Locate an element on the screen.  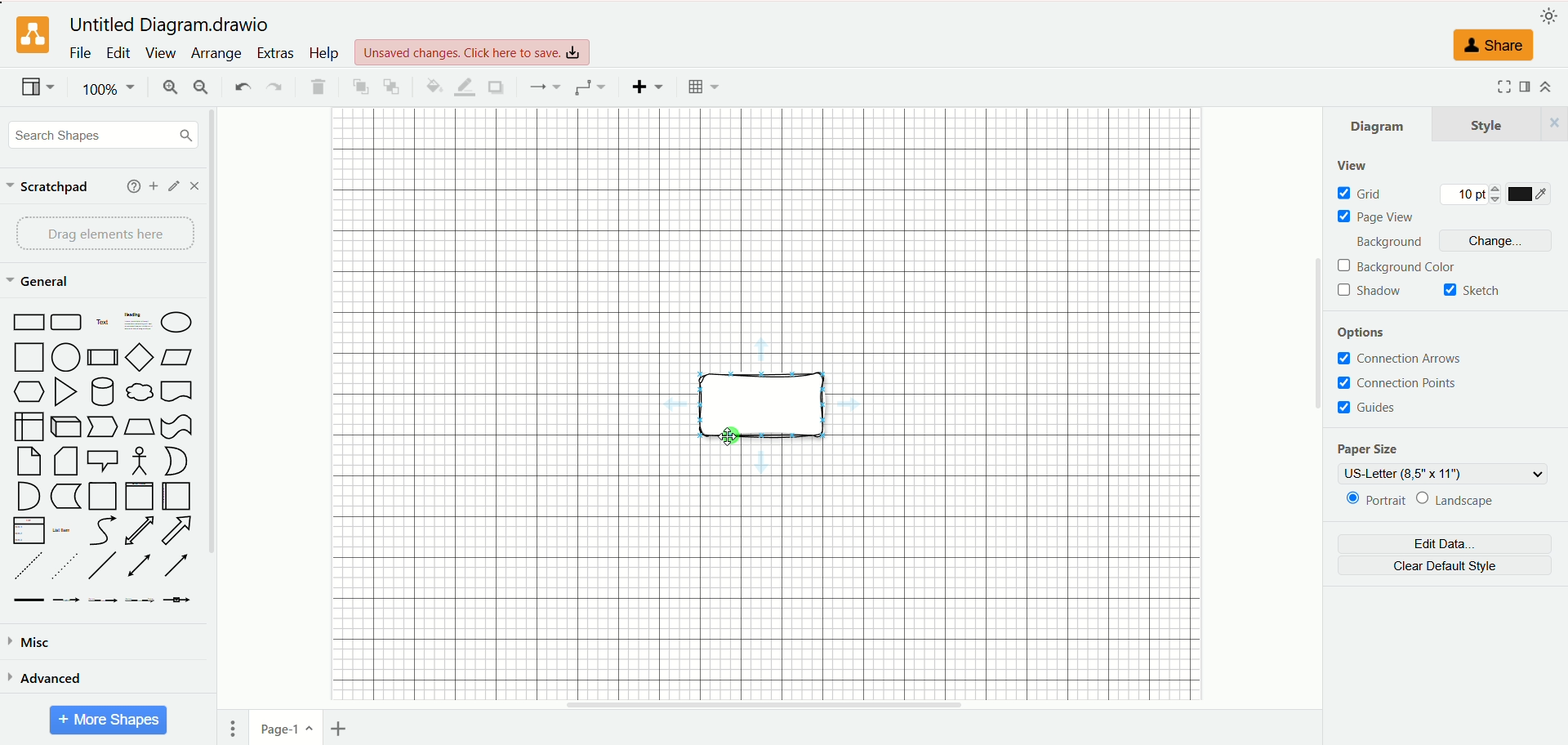
style is located at coordinates (1499, 123).